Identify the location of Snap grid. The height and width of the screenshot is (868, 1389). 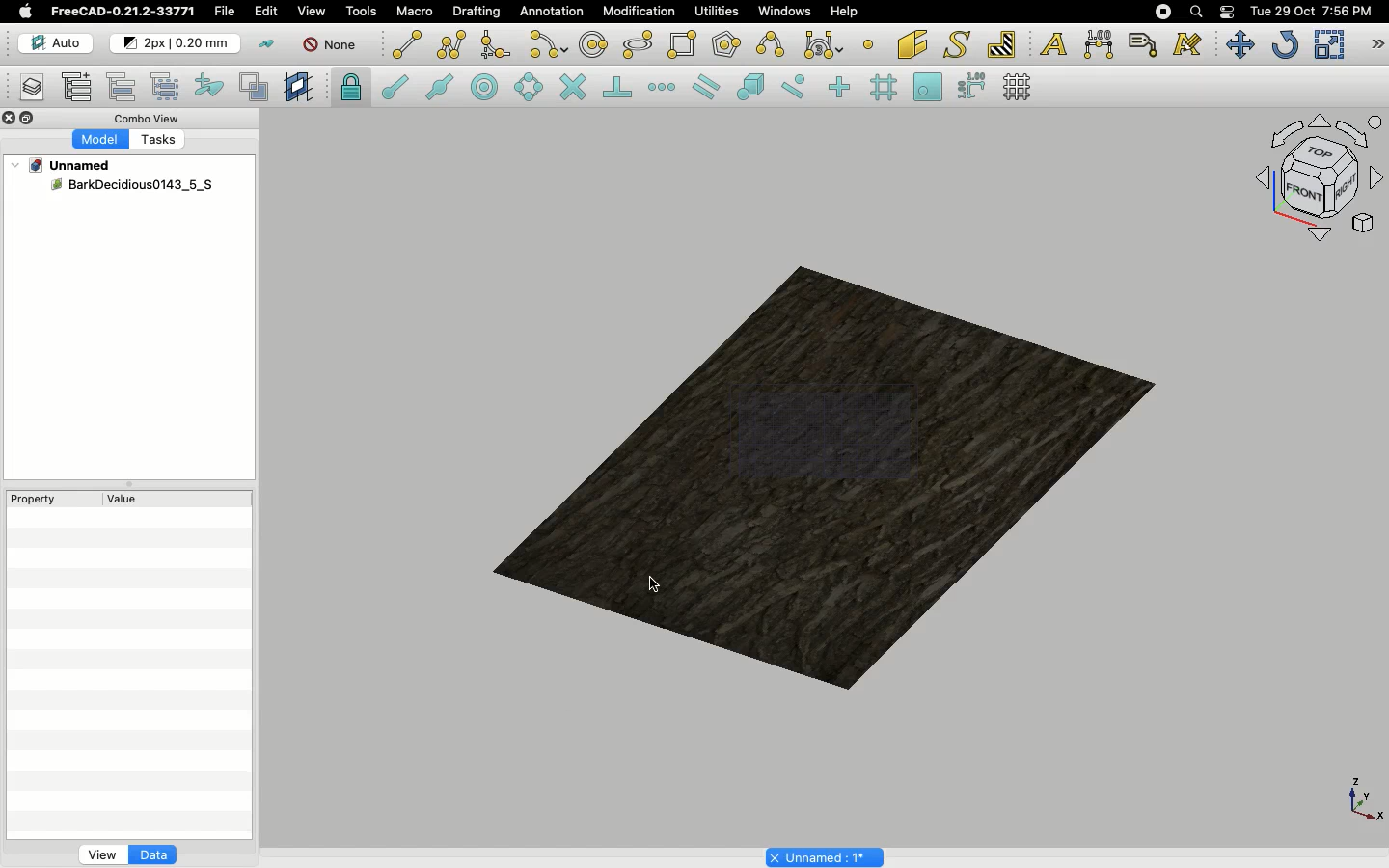
(885, 88).